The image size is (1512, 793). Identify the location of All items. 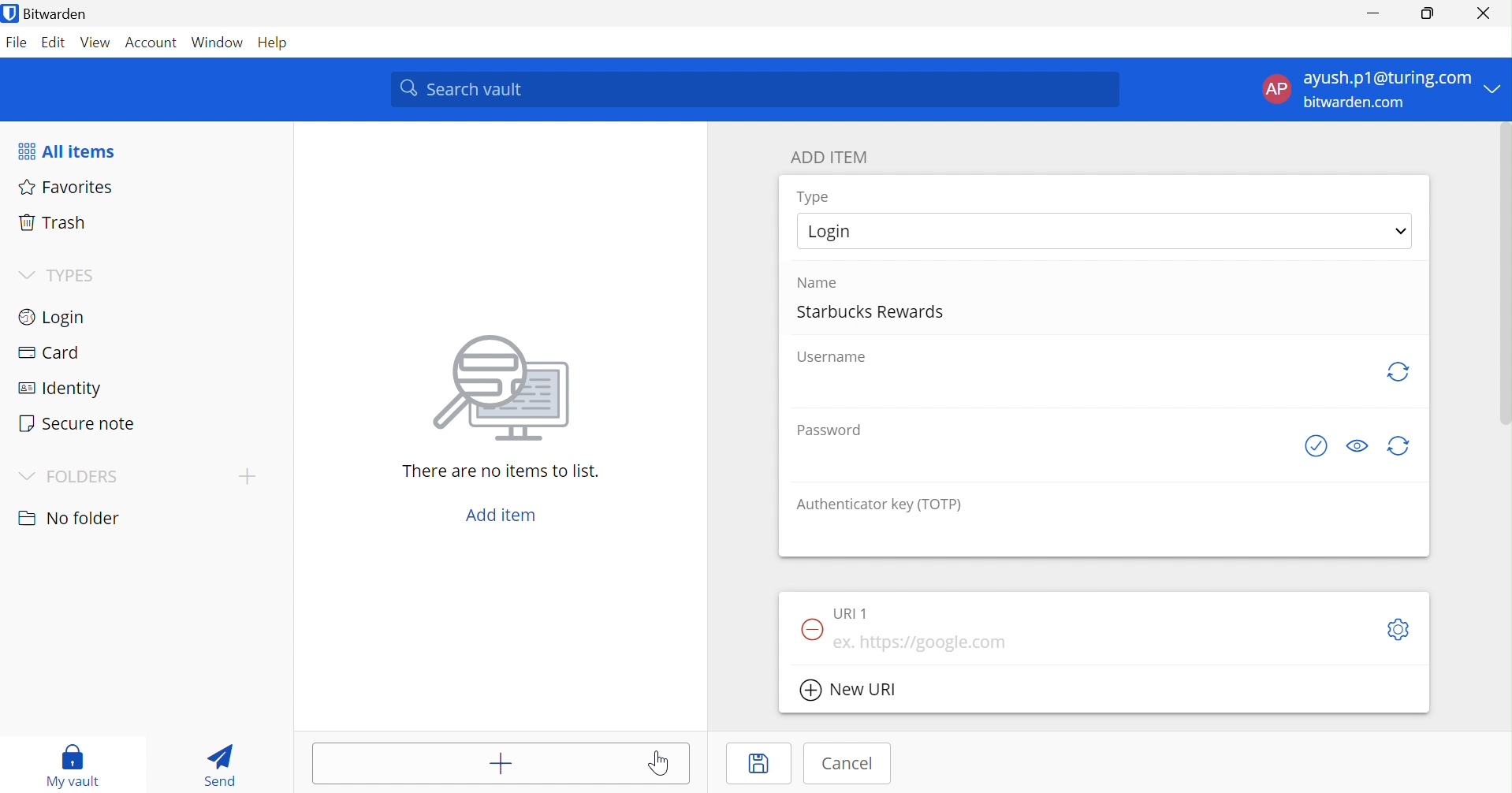
(65, 152).